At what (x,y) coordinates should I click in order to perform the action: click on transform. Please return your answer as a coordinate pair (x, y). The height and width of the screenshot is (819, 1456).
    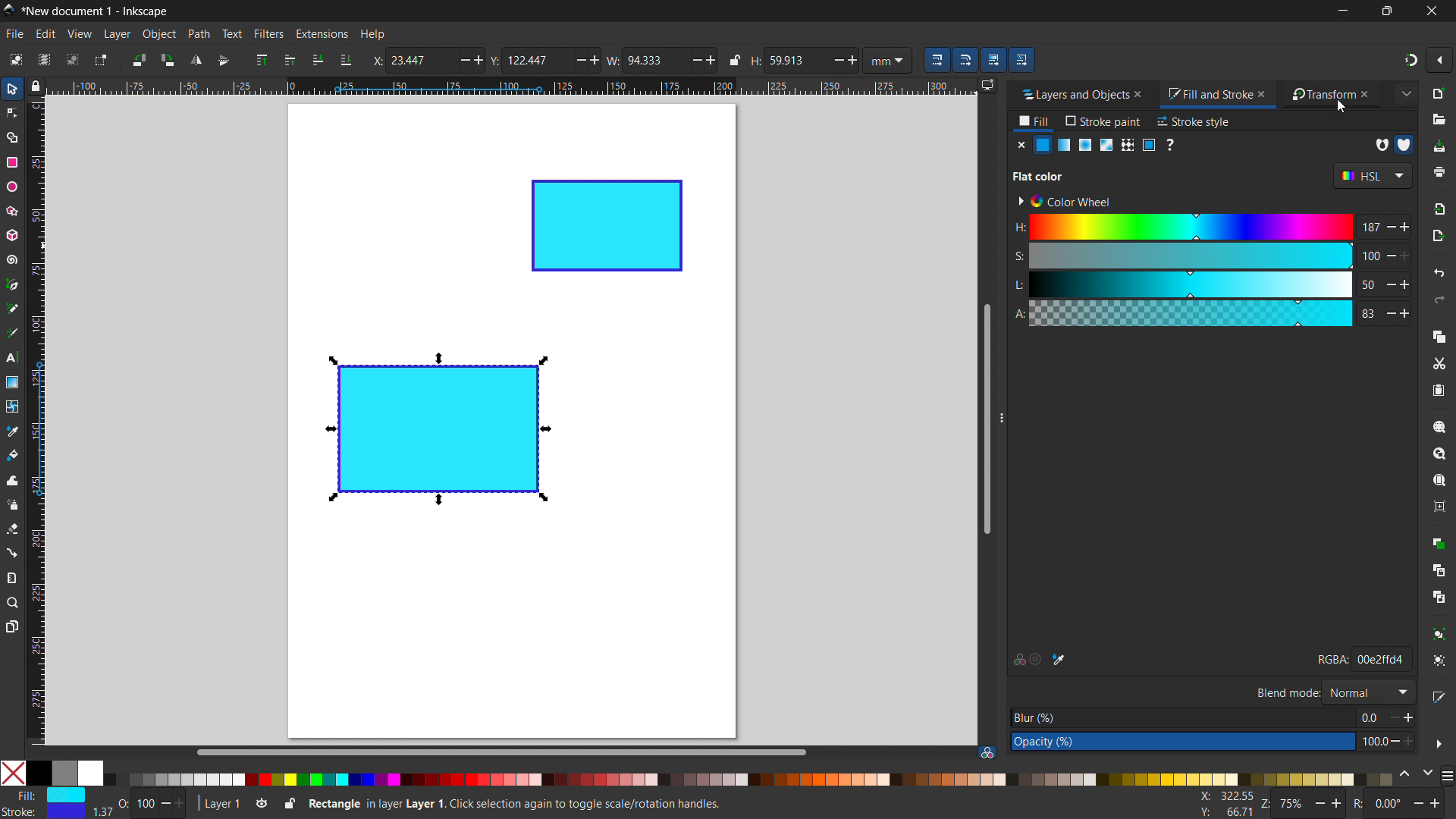
    Looking at the image, I should click on (1319, 95).